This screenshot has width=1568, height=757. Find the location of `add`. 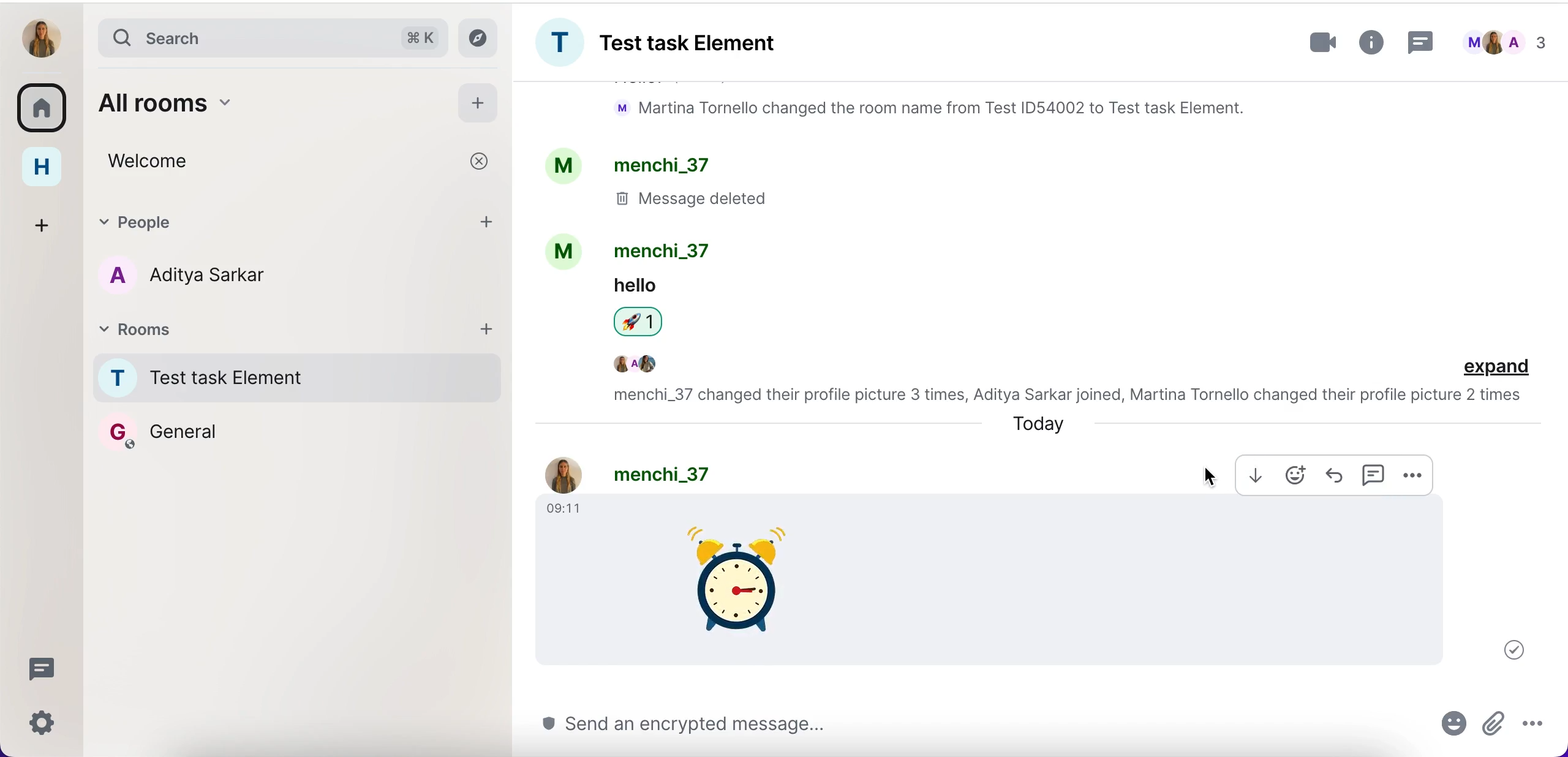

add is located at coordinates (477, 102).